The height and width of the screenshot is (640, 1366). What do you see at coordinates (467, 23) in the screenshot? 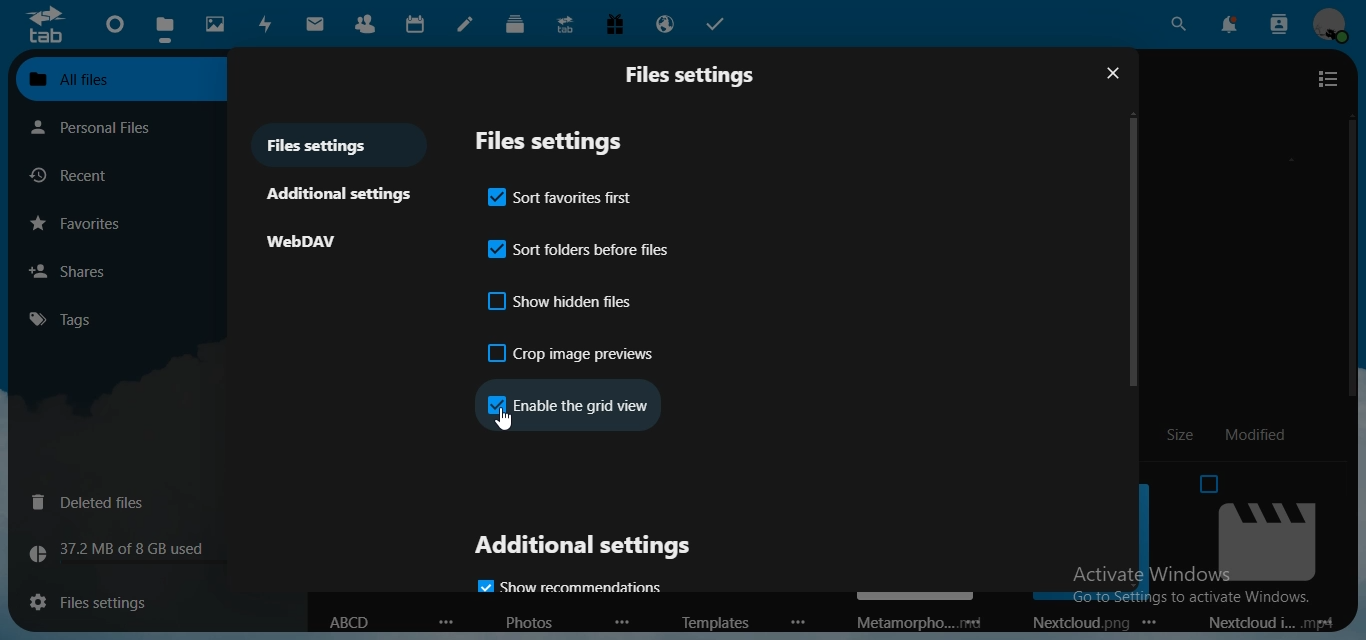
I see `notes` at bounding box center [467, 23].